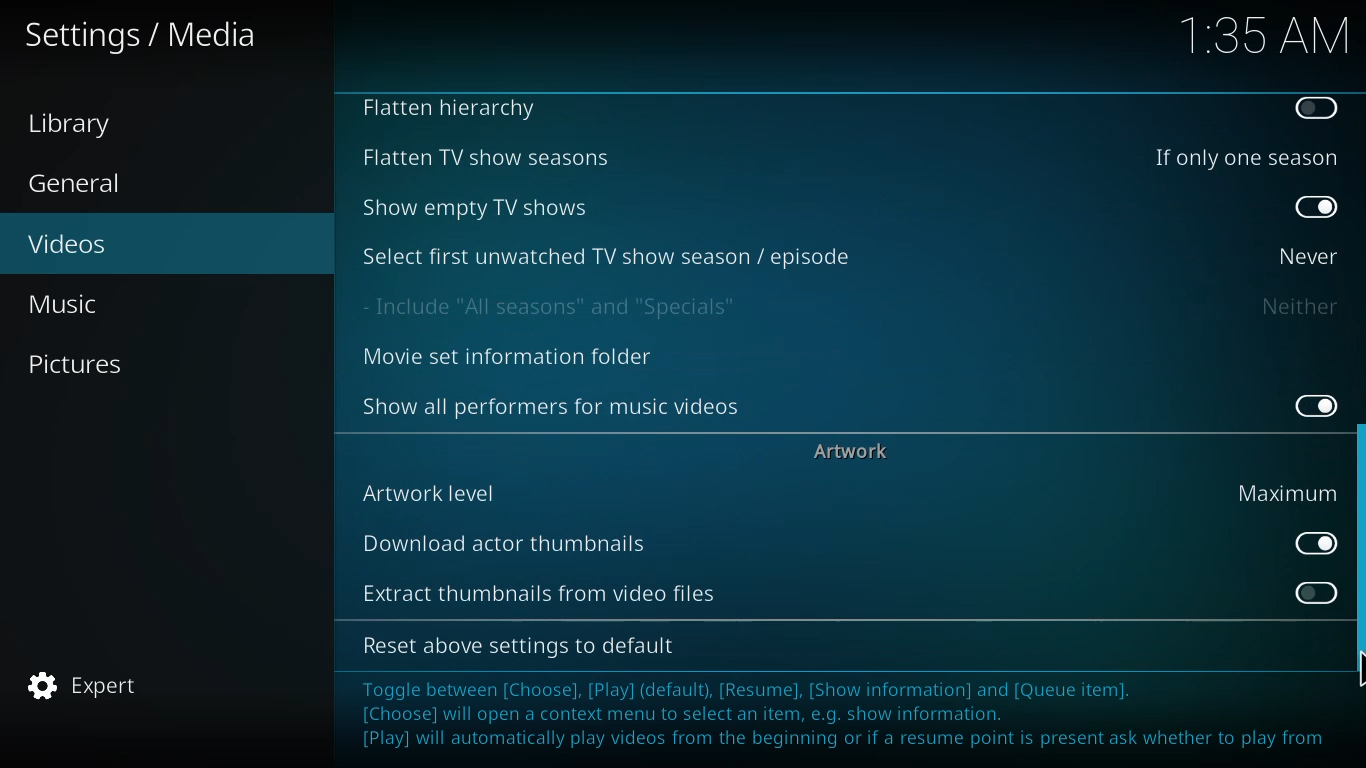 The height and width of the screenshot is (768, 1366). What do you see at coordinates (1298, 306) in the screenshot?
I see `neither` at bounding box center [1298, 306].